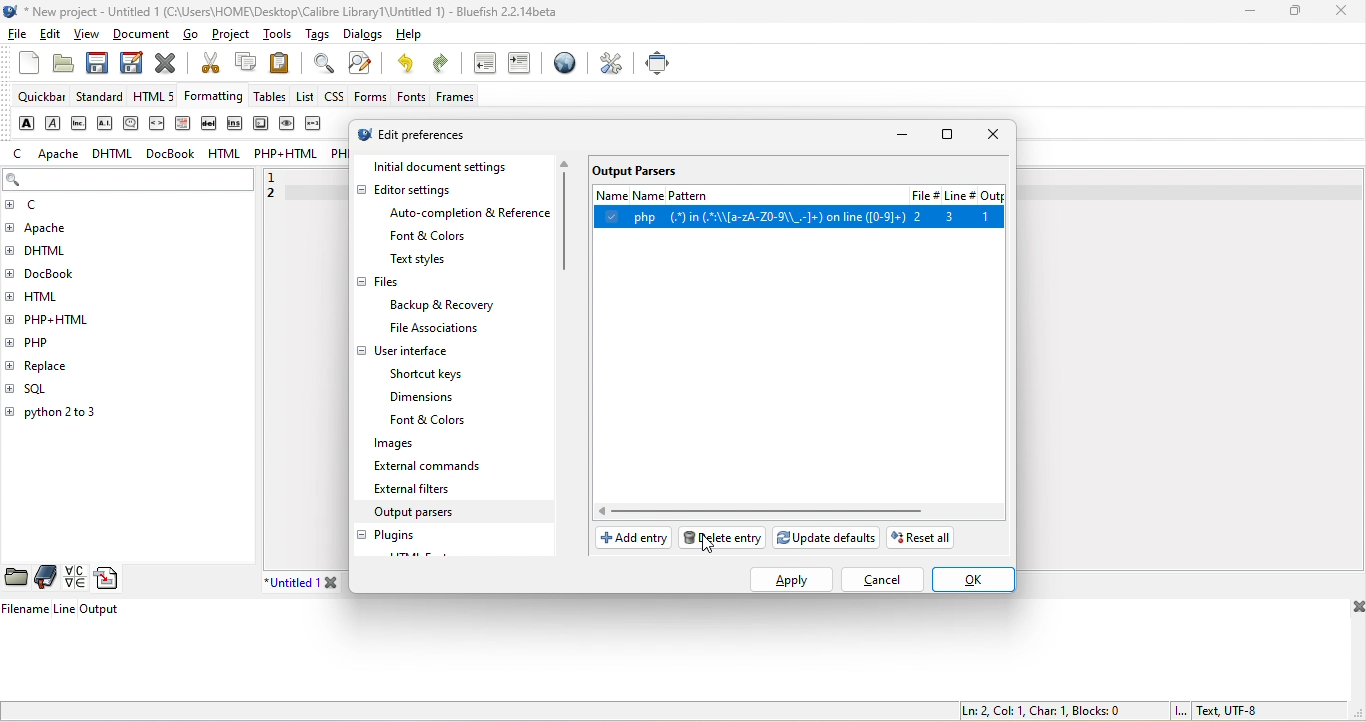  Describe the element at coordinates (426, 398) in the screenshot. I see `dimensions` at that location.